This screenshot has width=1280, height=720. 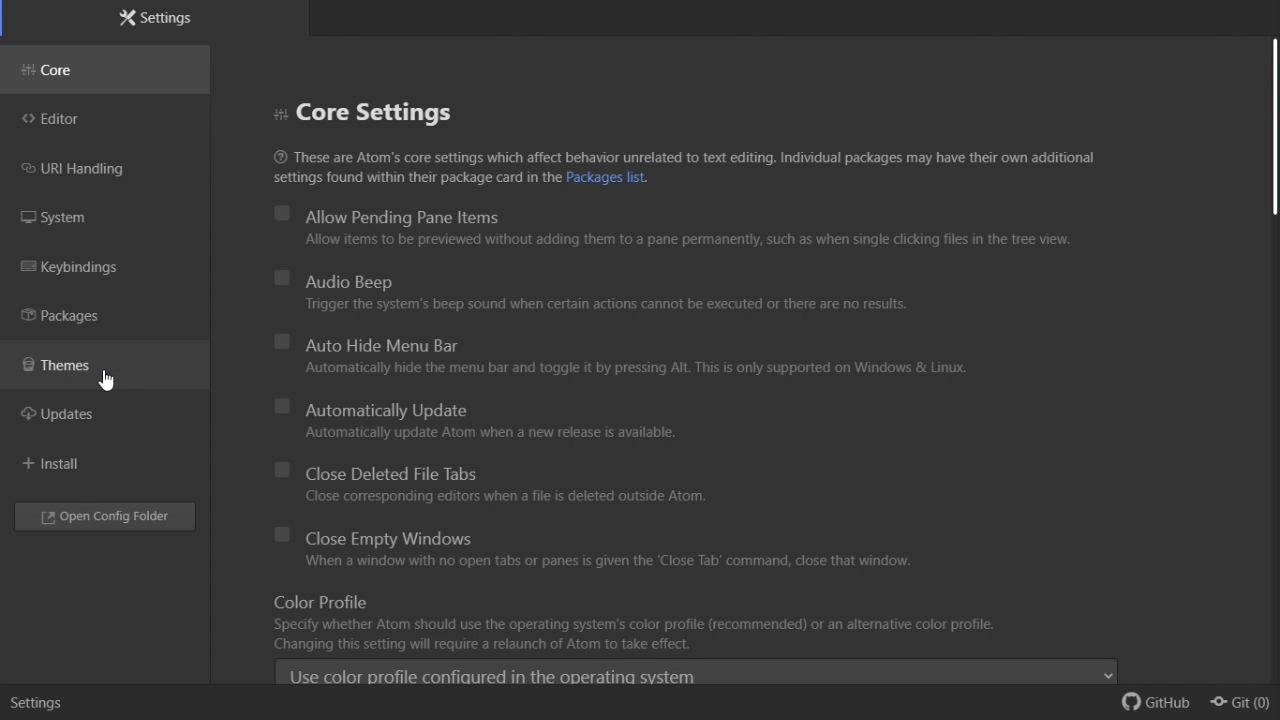 I want to click on Use color profile configured drop down, so click(x=700, y=673).